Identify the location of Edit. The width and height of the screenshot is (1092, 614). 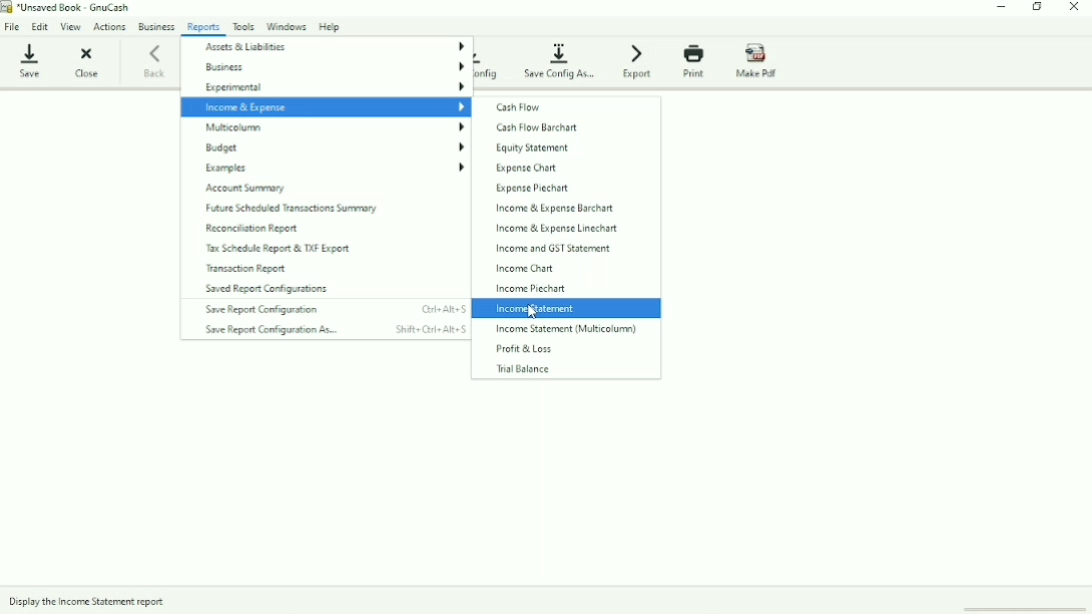
(40, 25).